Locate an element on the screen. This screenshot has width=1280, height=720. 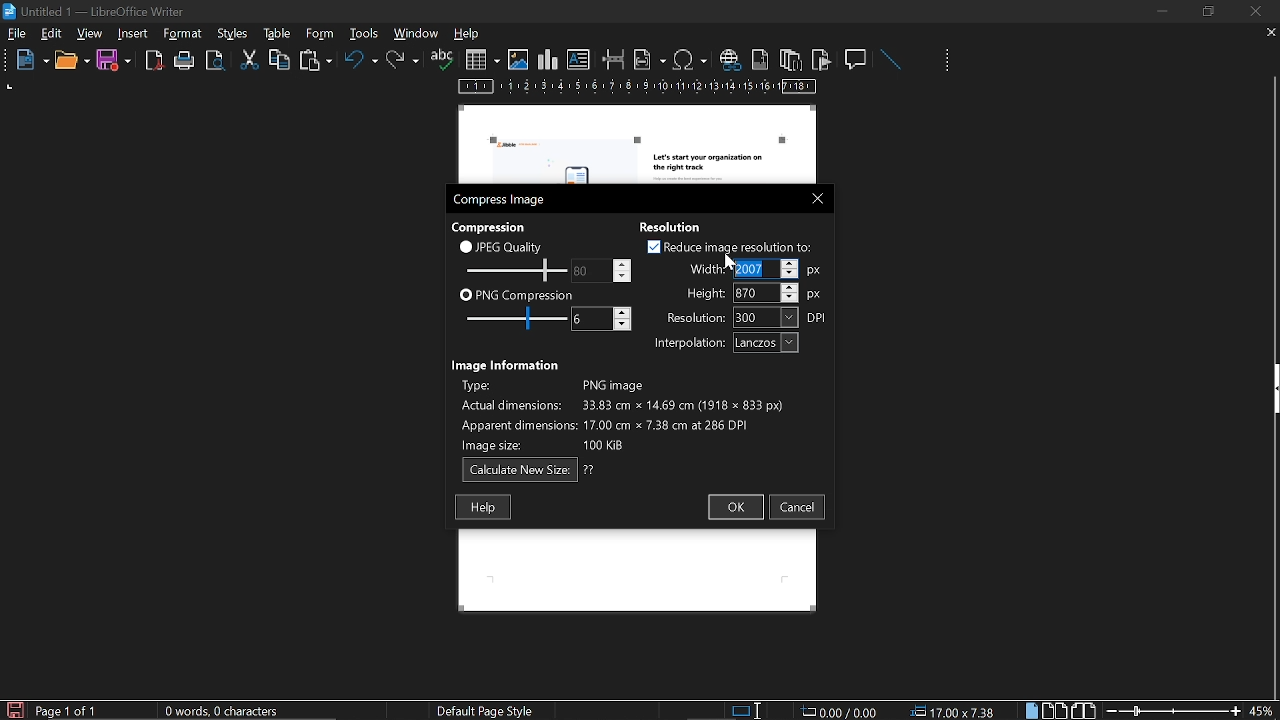
0.00 / 0.00 is located at coordinates (842, 710).